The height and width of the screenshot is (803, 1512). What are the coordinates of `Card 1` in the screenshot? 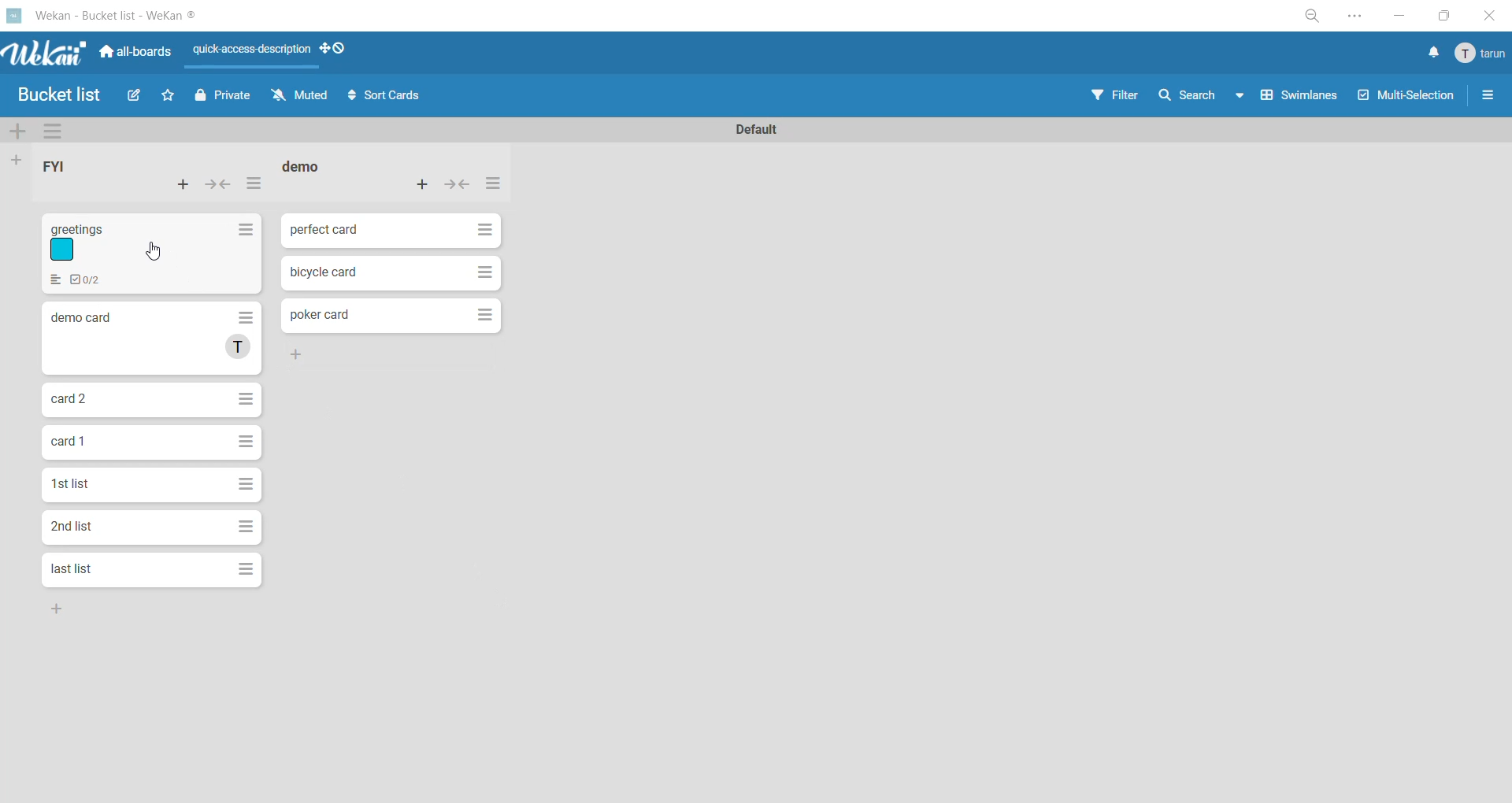 It's located at (155, 443).